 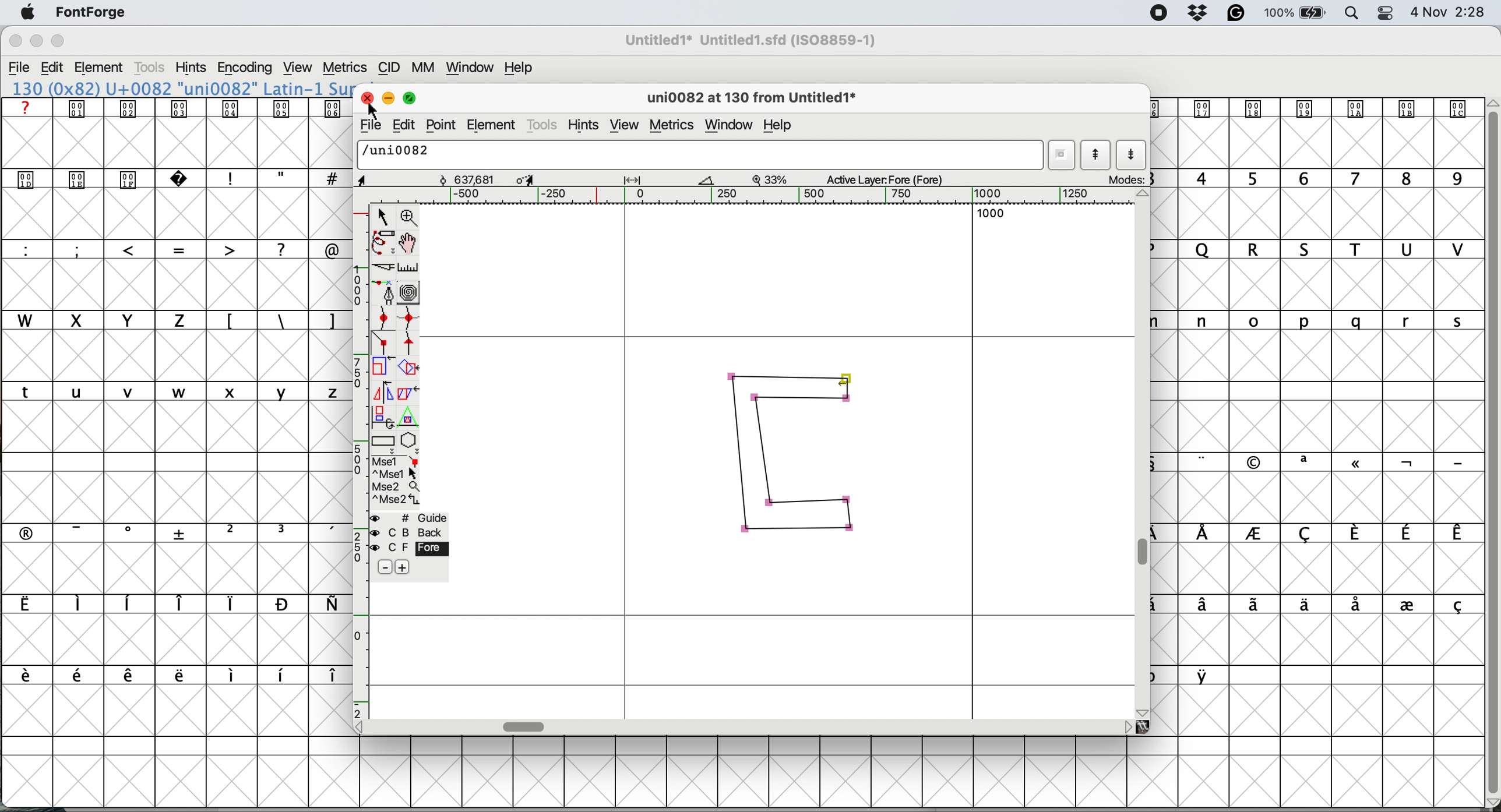 I want to click on hints, so click(x=584, y=126).